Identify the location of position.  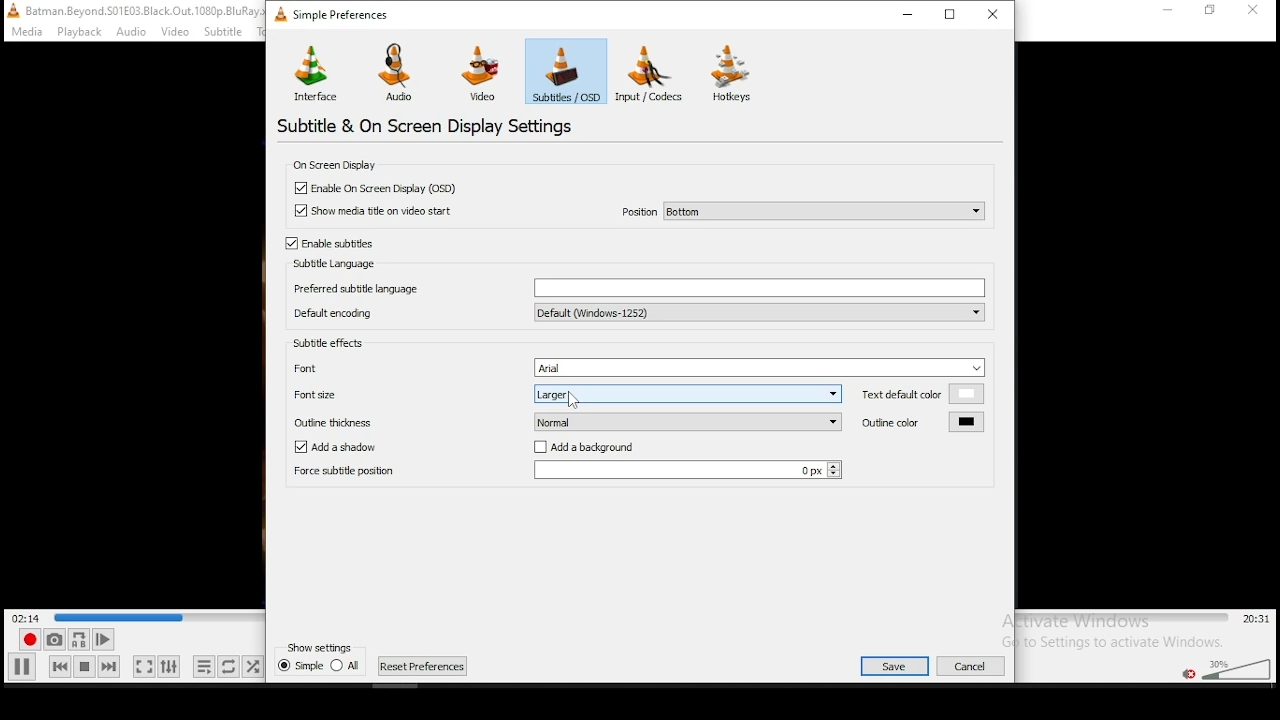
(802, 210).